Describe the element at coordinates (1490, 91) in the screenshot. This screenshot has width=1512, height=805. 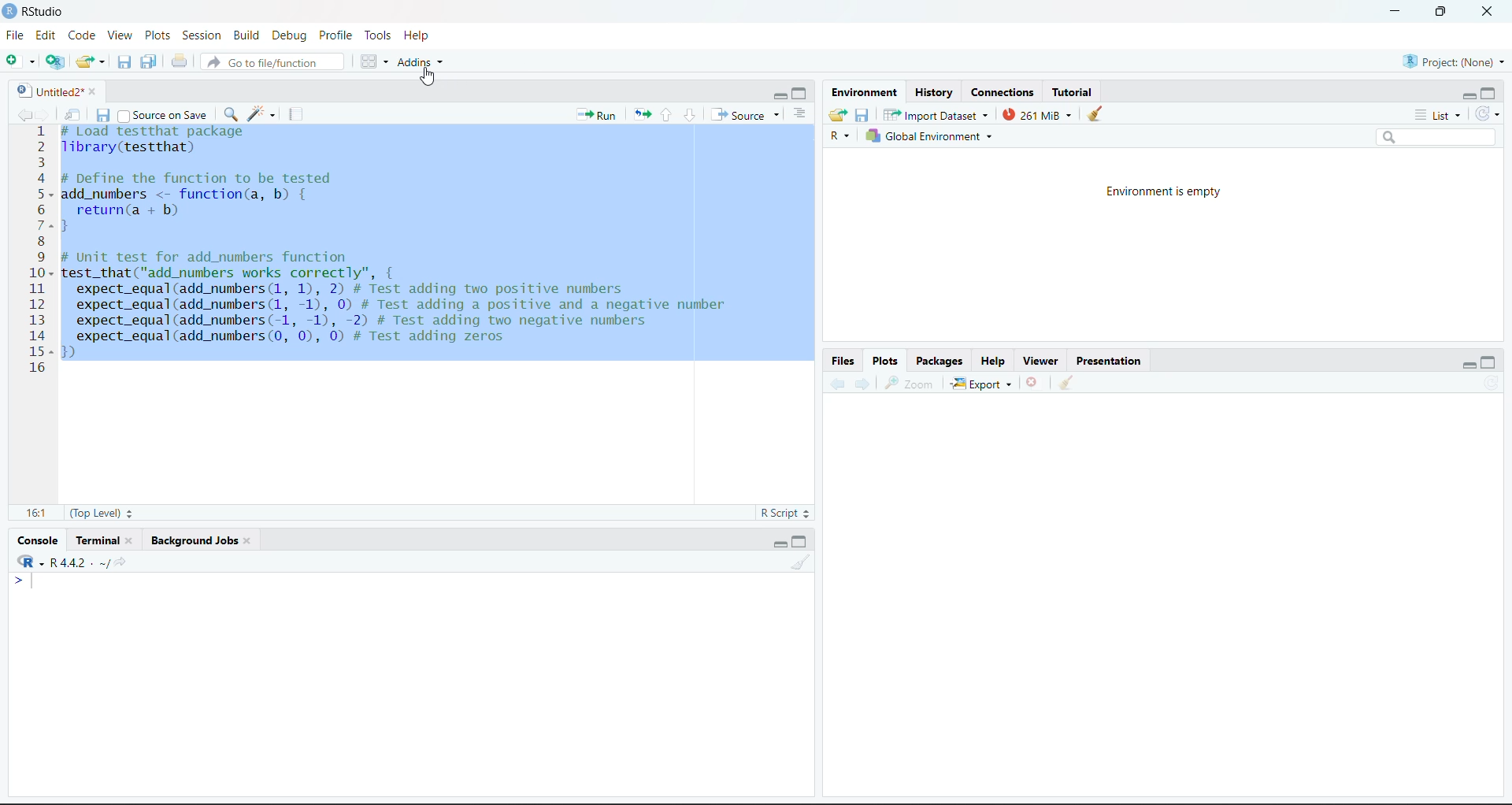
I see `maximize` at that location.